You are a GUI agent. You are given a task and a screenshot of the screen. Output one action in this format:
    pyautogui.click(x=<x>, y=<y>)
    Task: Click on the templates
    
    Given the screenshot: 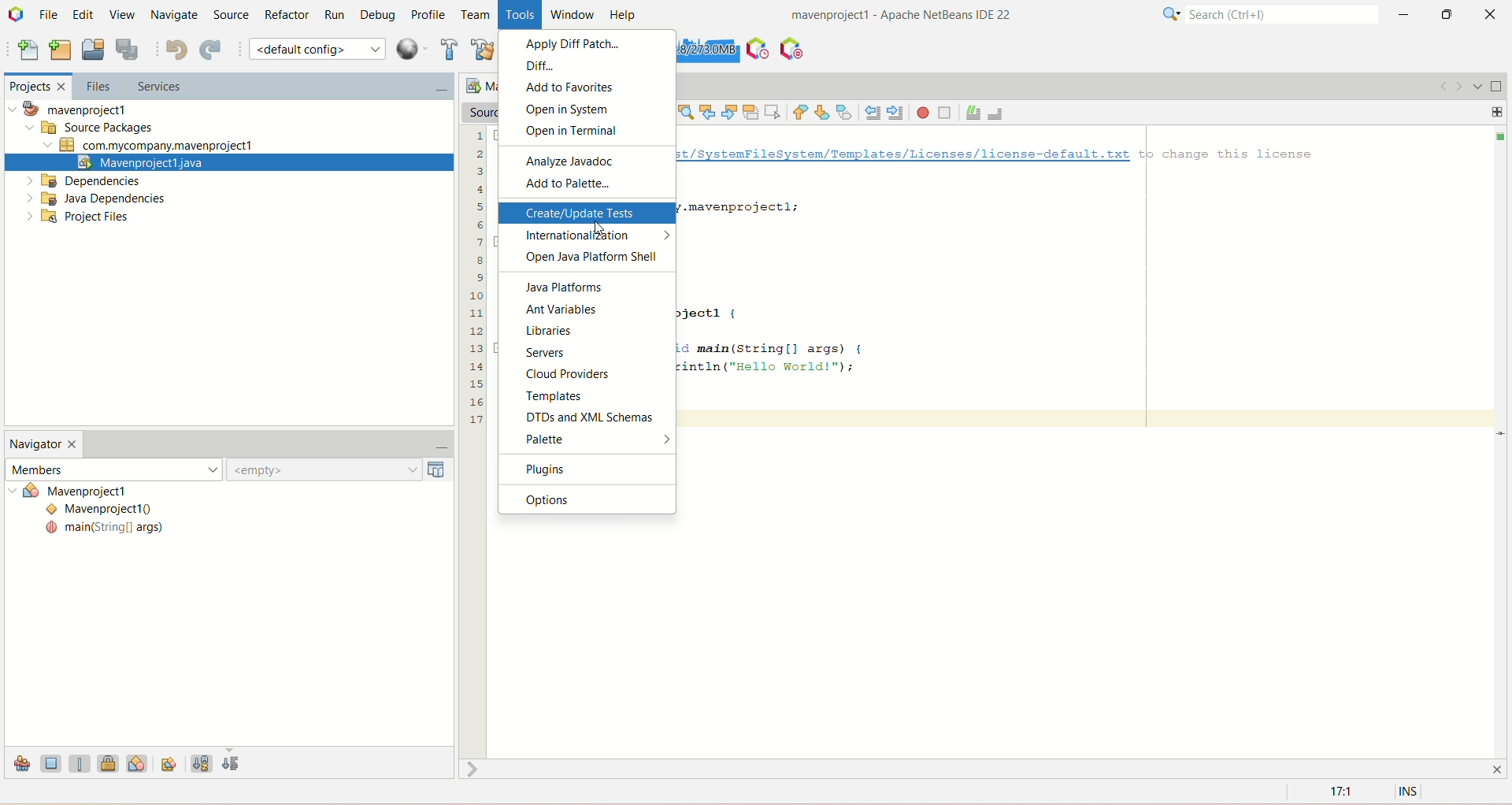 What is the action you would take?
    pyautogui.click(x=588, y=399)
    